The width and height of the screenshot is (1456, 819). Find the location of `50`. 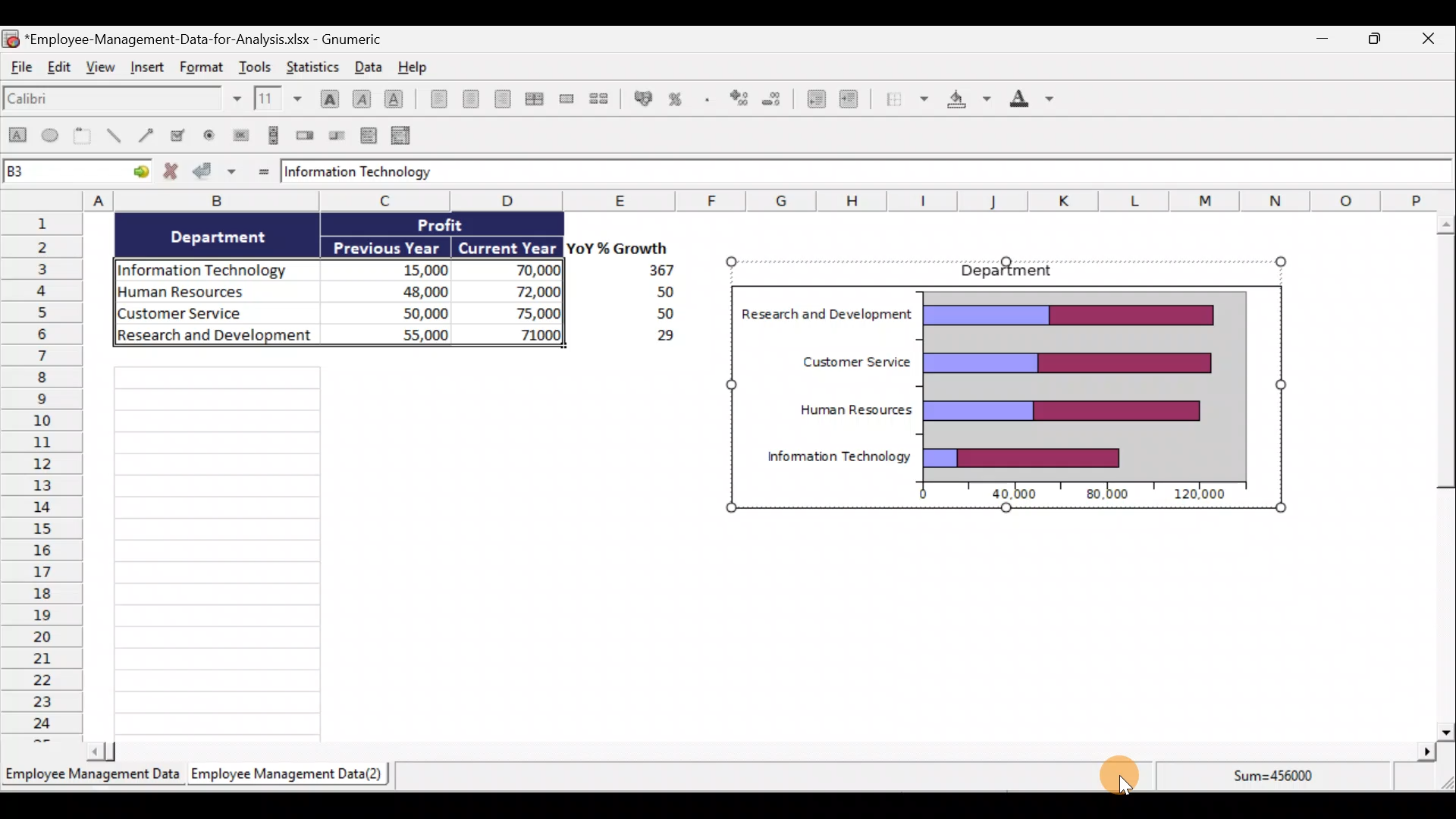

50 is located at coordinates (645, 293).